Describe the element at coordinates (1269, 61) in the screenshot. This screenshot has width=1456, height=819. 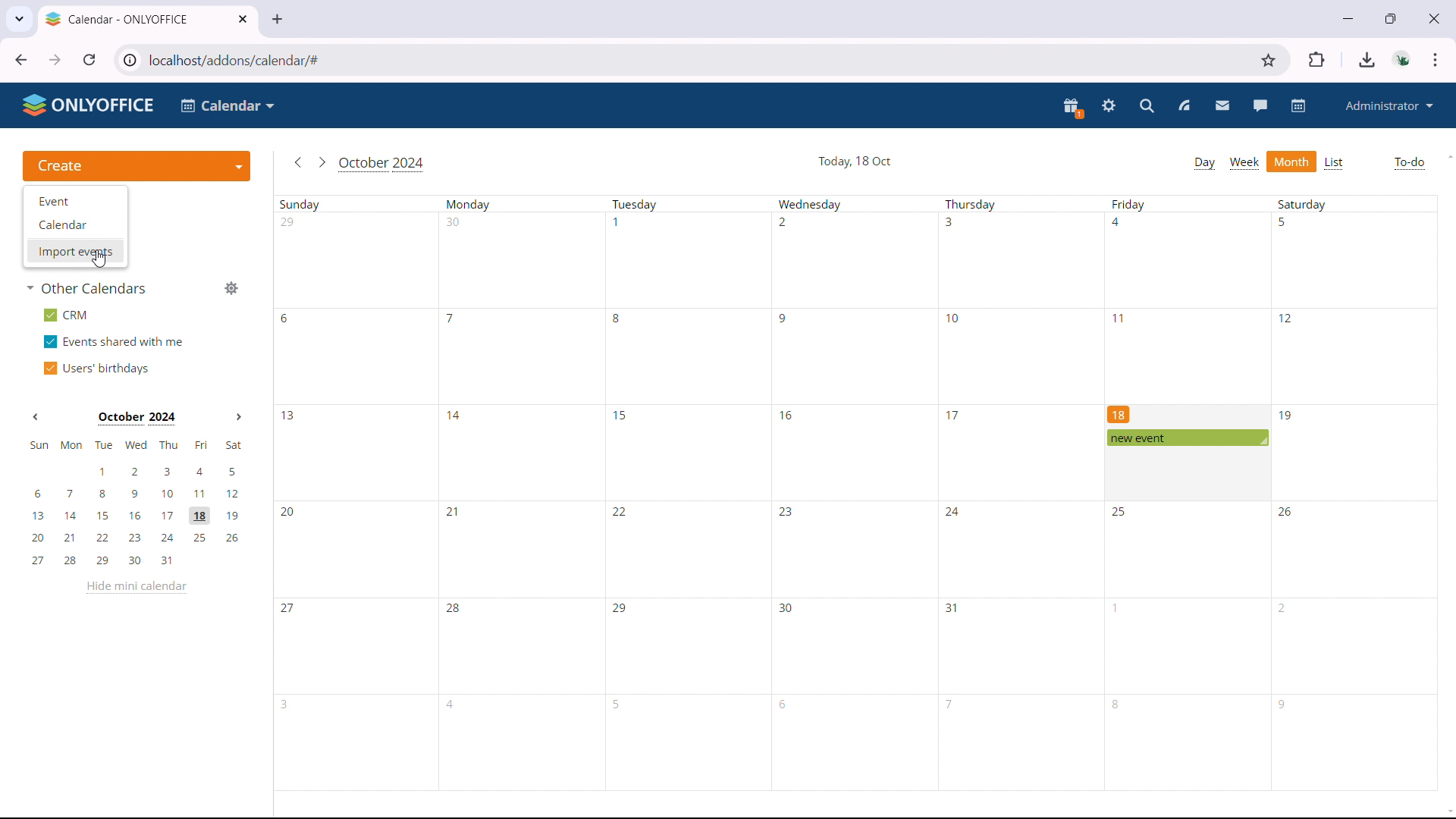
I see `bookmark this tab` at that location.